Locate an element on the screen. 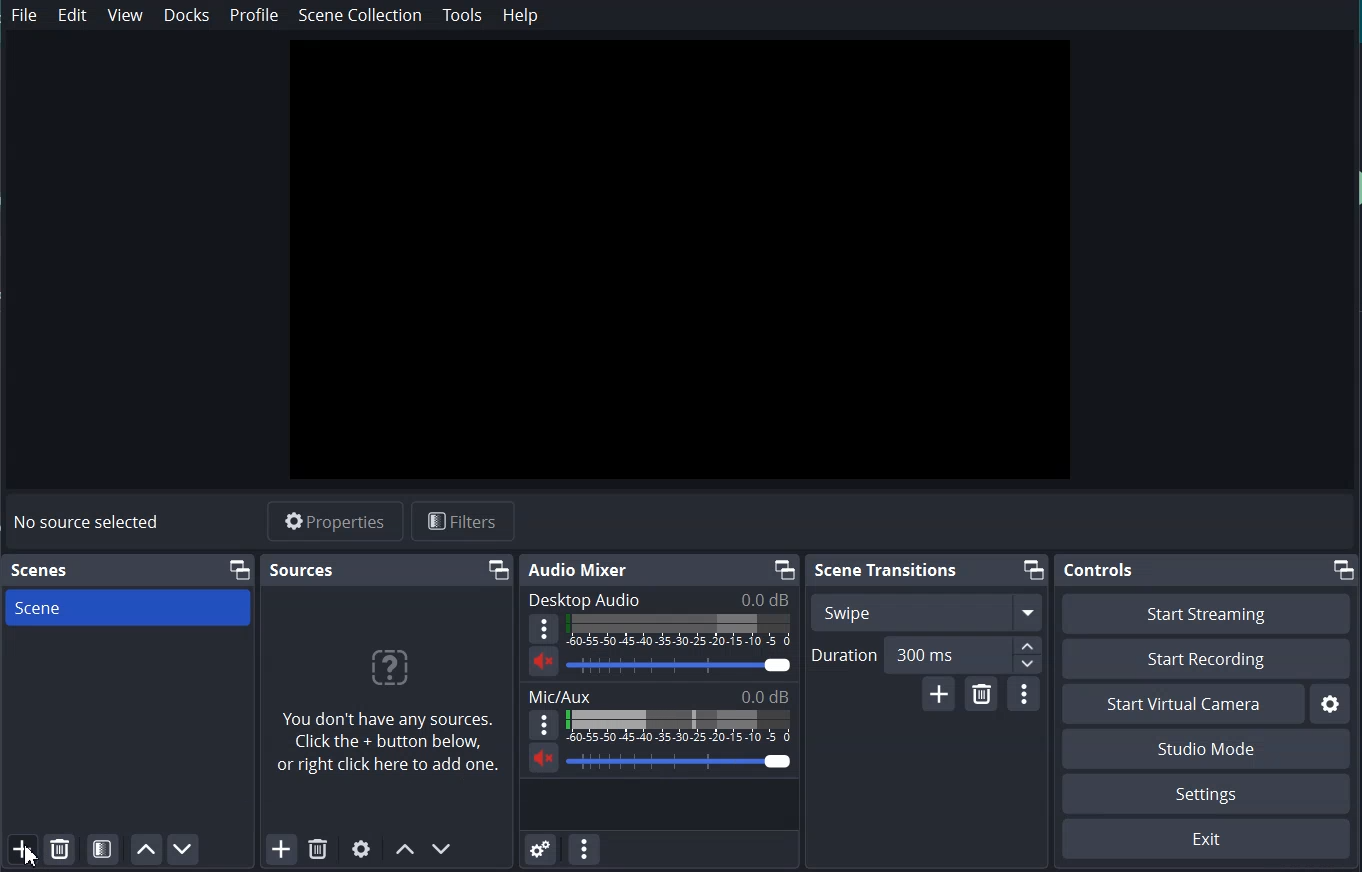  Maximize is located at coordinates (1032, 570).